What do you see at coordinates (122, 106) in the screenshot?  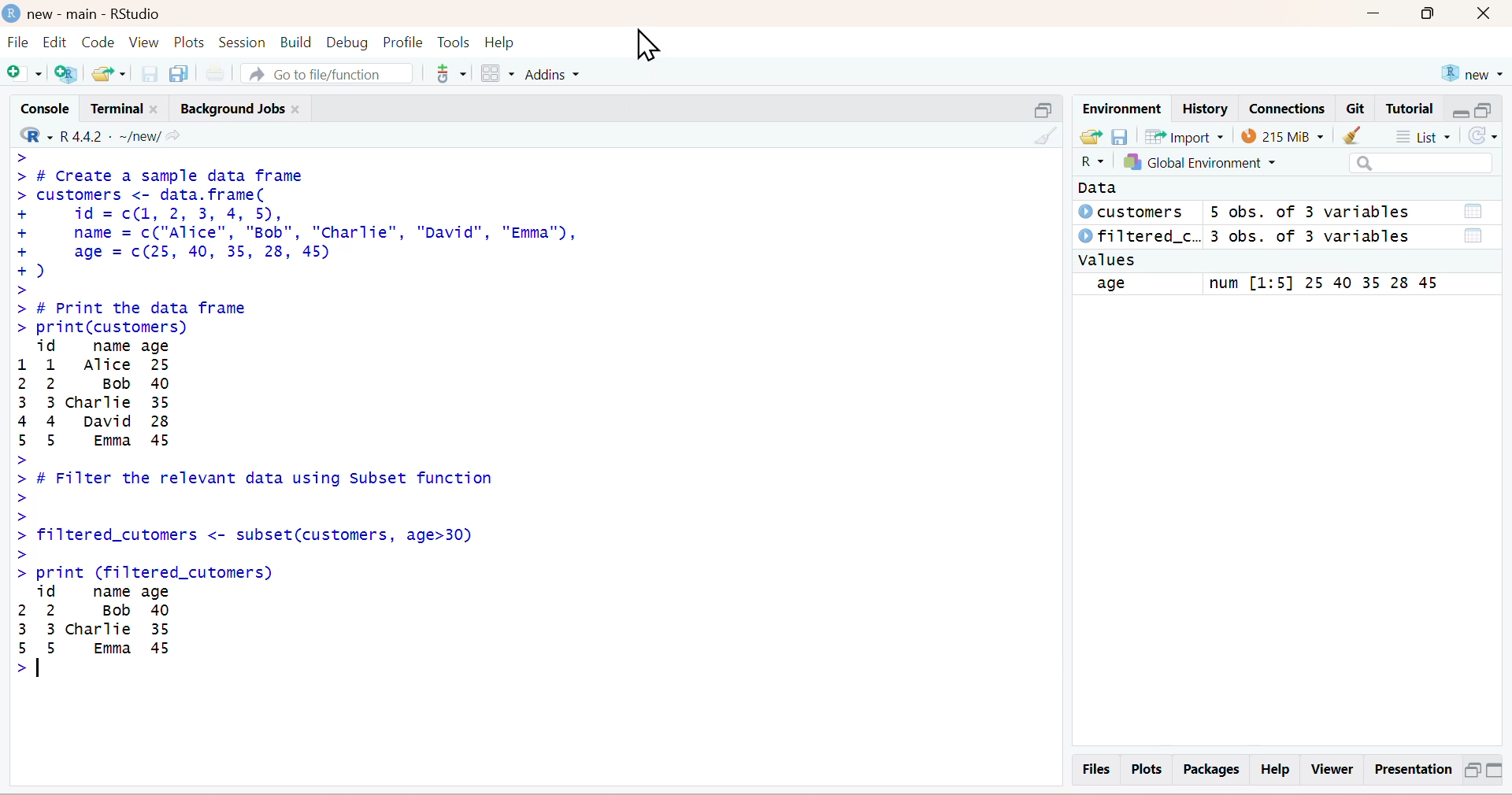 I see `Terminal` at bounding box center [122, 106].